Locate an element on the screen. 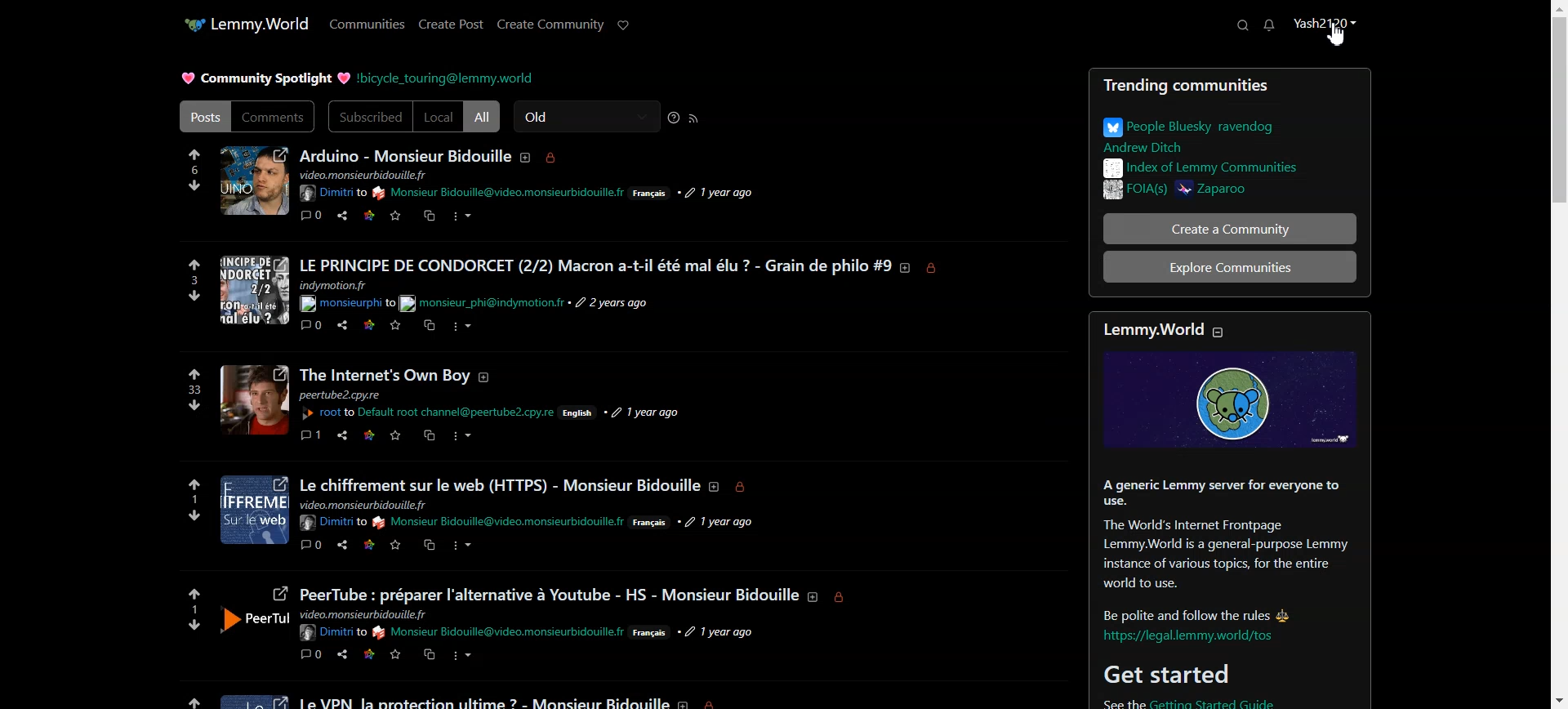 Image resolution: width=1568 pixels, height=709 pixels. 1 is located at coordinates (191, 500).